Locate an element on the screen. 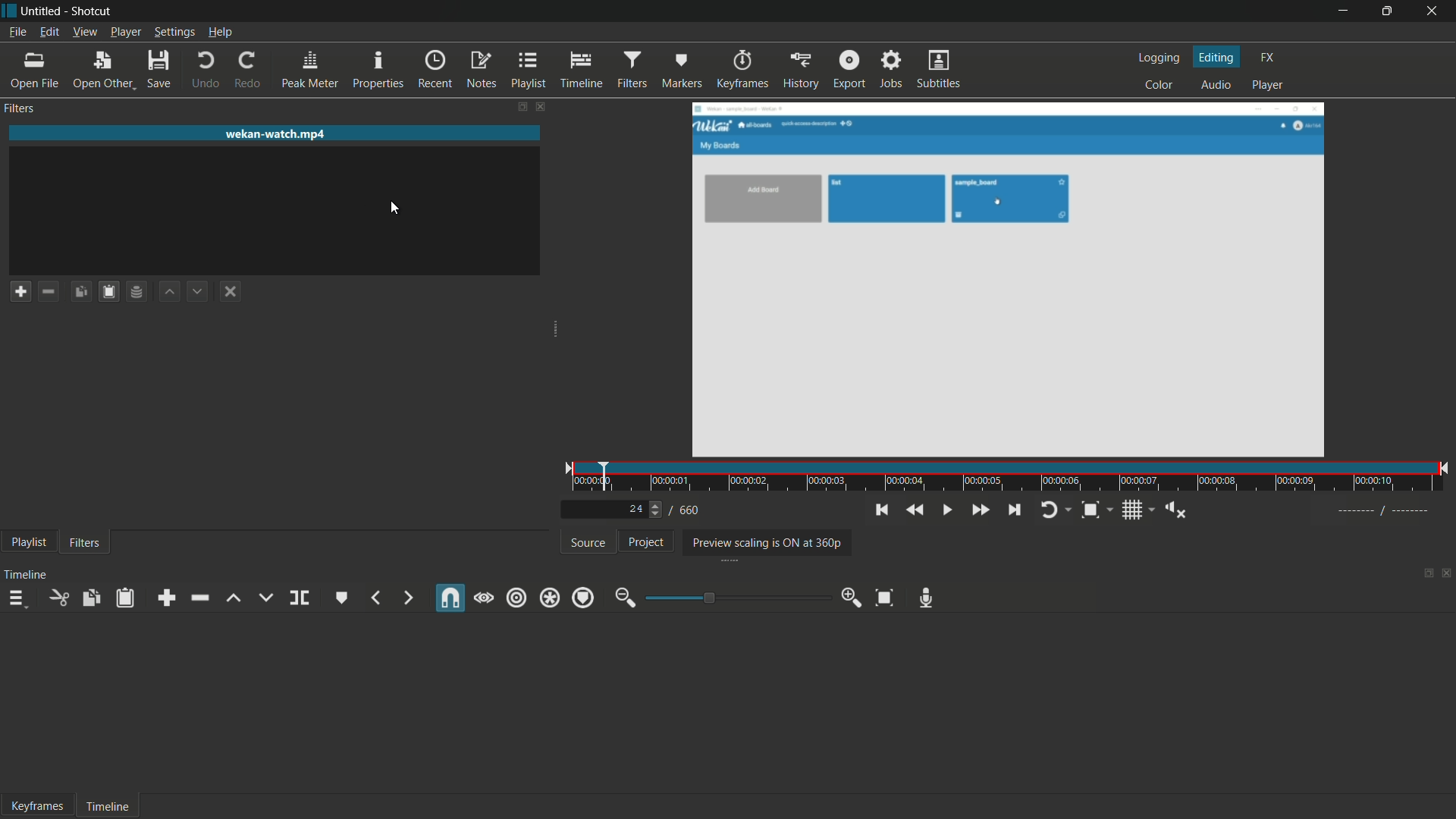 This screenshot has height=819, width=1456. maximize is located at coordinates (1387, 11).